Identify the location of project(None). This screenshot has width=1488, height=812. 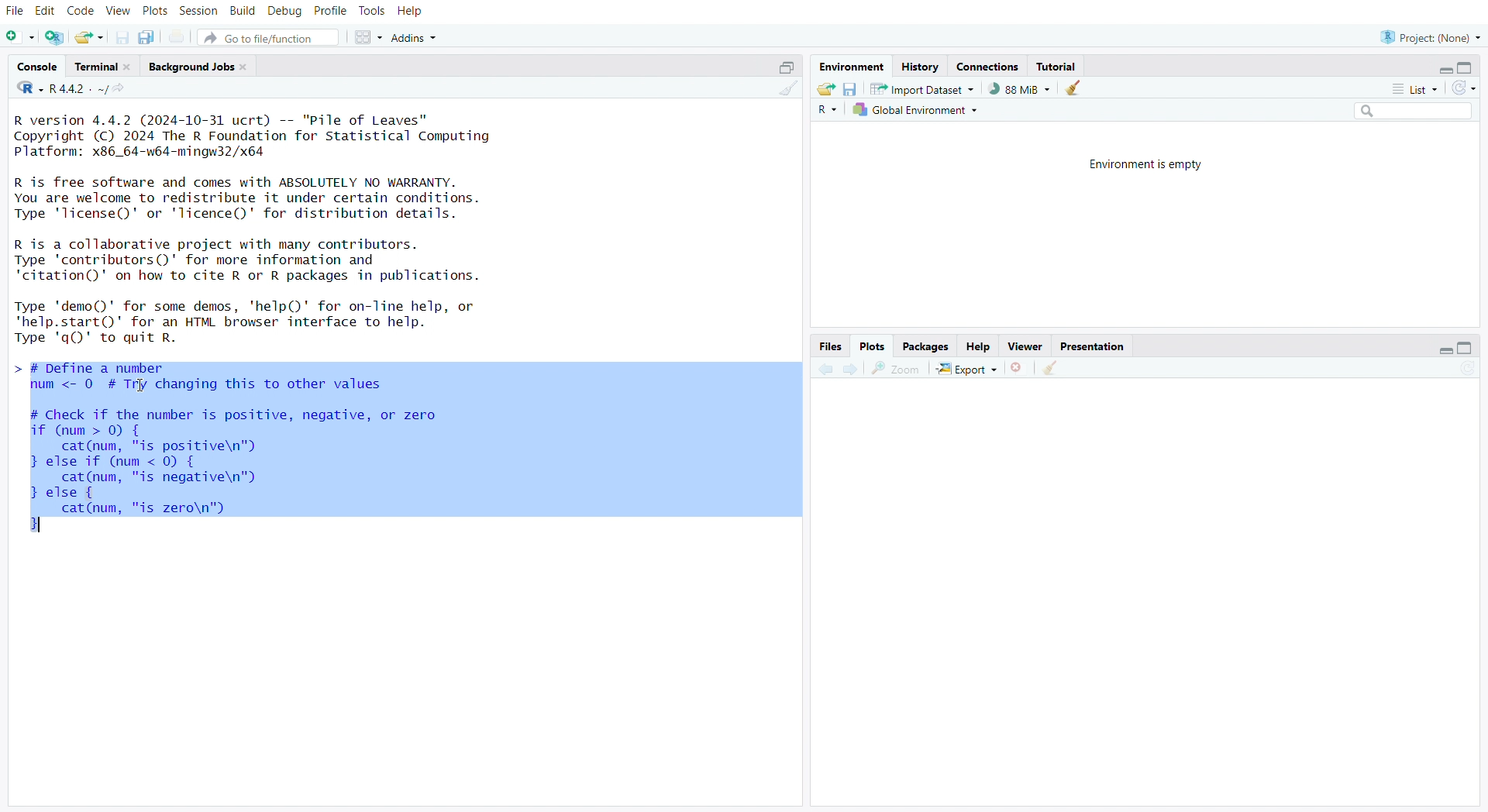
(1430, 36).